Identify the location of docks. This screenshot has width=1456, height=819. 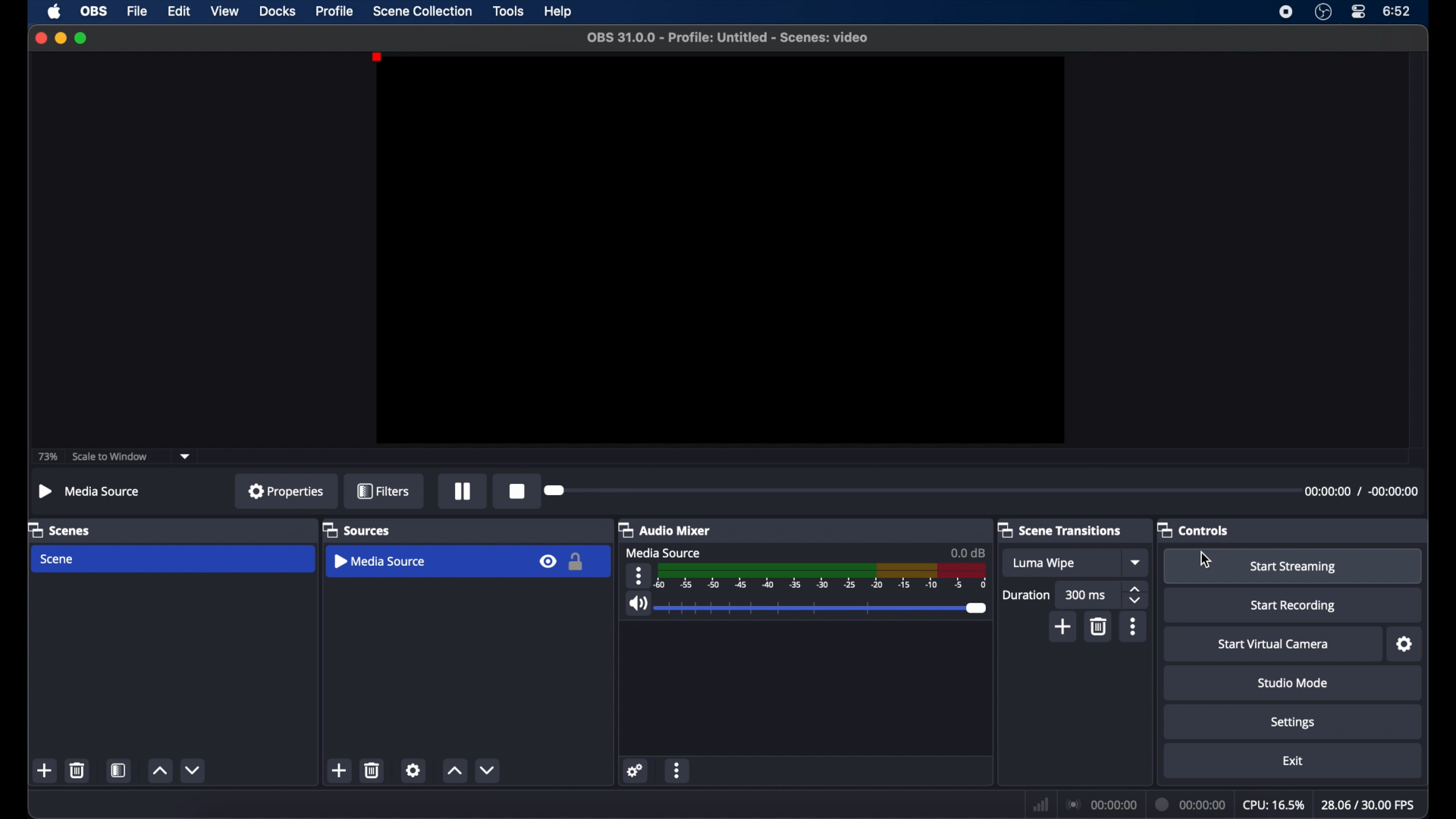
(278, 12).